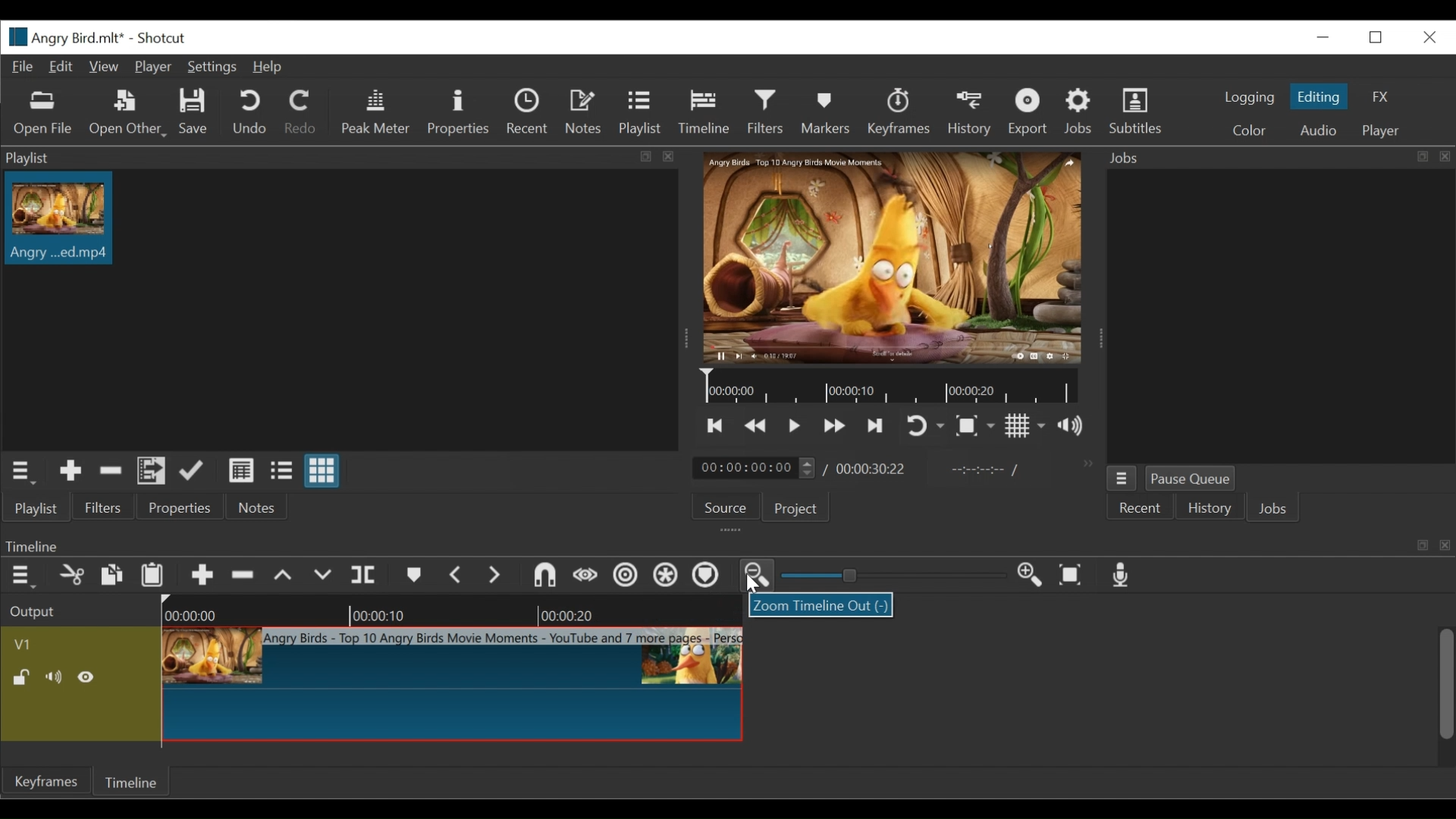 This screenshot has height=819, width=1456. Describe the element at coordinates (1125, 576) in the screenshot. I see `record audio` at that location.